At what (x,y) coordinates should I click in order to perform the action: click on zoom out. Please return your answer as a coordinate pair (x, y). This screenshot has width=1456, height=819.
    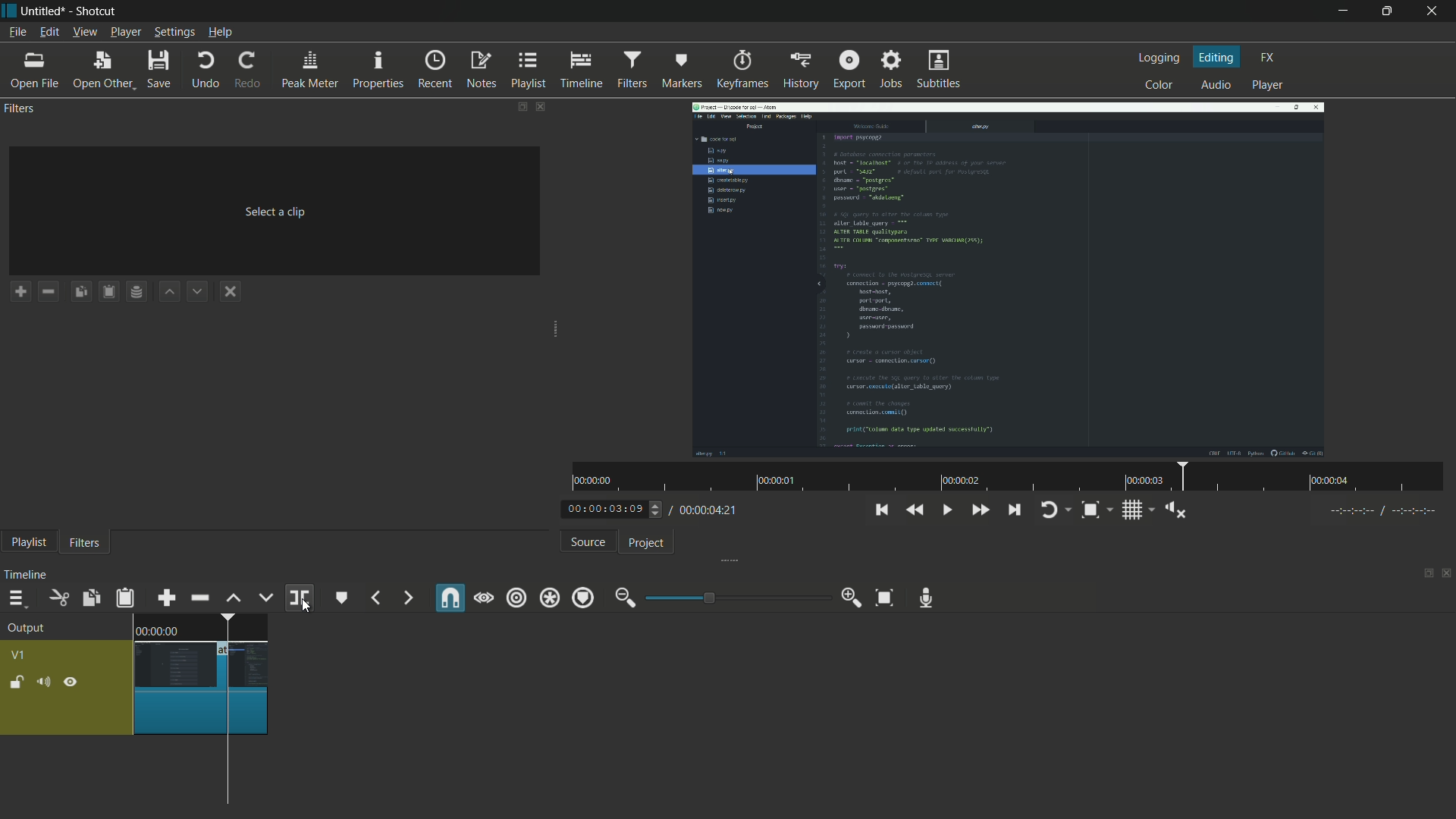
    Looking at the image, I should click on (625, 595).